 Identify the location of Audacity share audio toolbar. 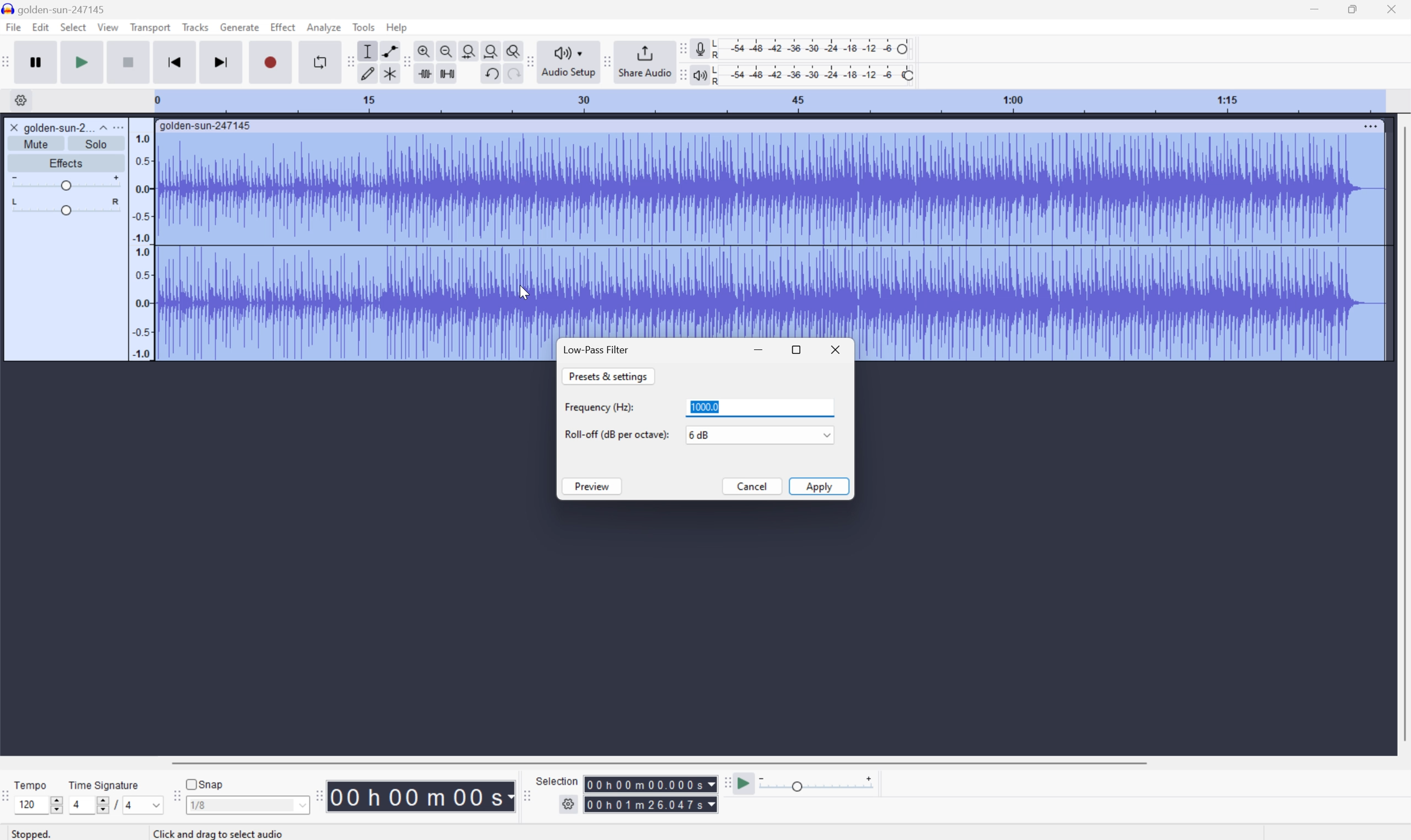
(608, 61).